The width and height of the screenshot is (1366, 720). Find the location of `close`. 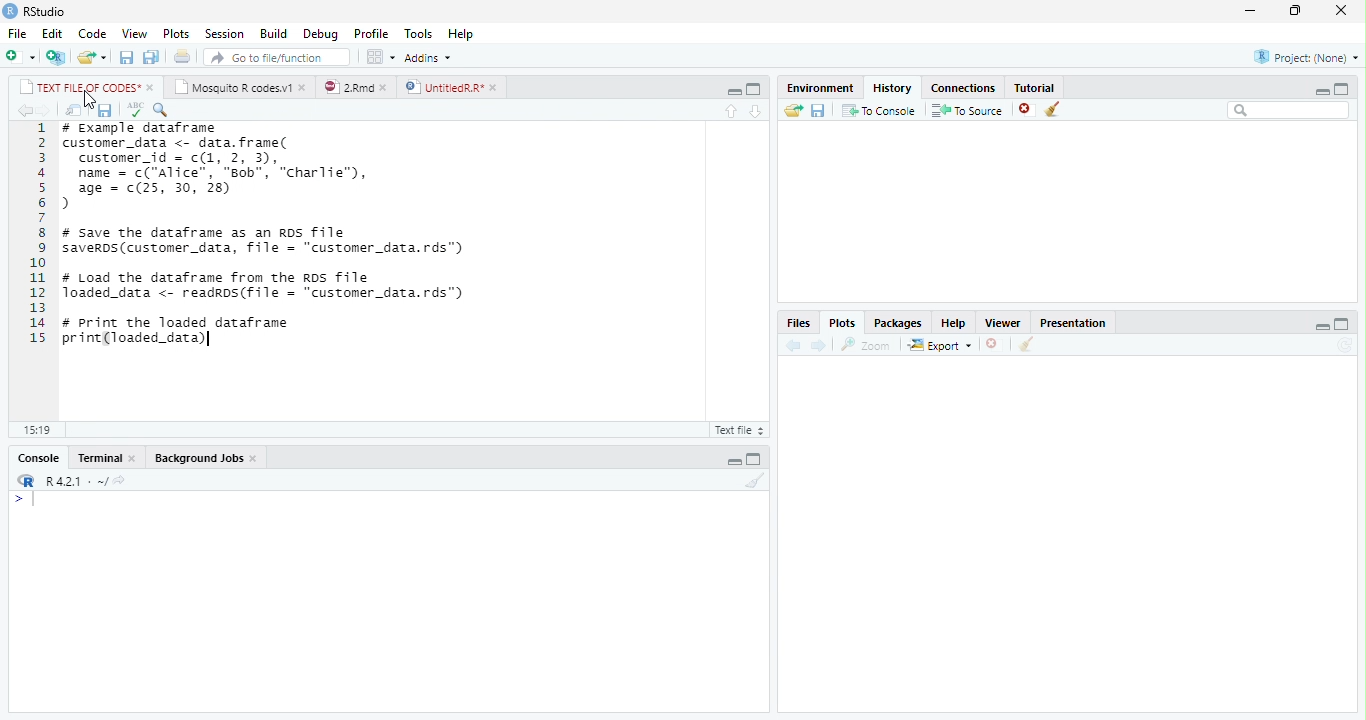

close is located at coordinates (305, 87).